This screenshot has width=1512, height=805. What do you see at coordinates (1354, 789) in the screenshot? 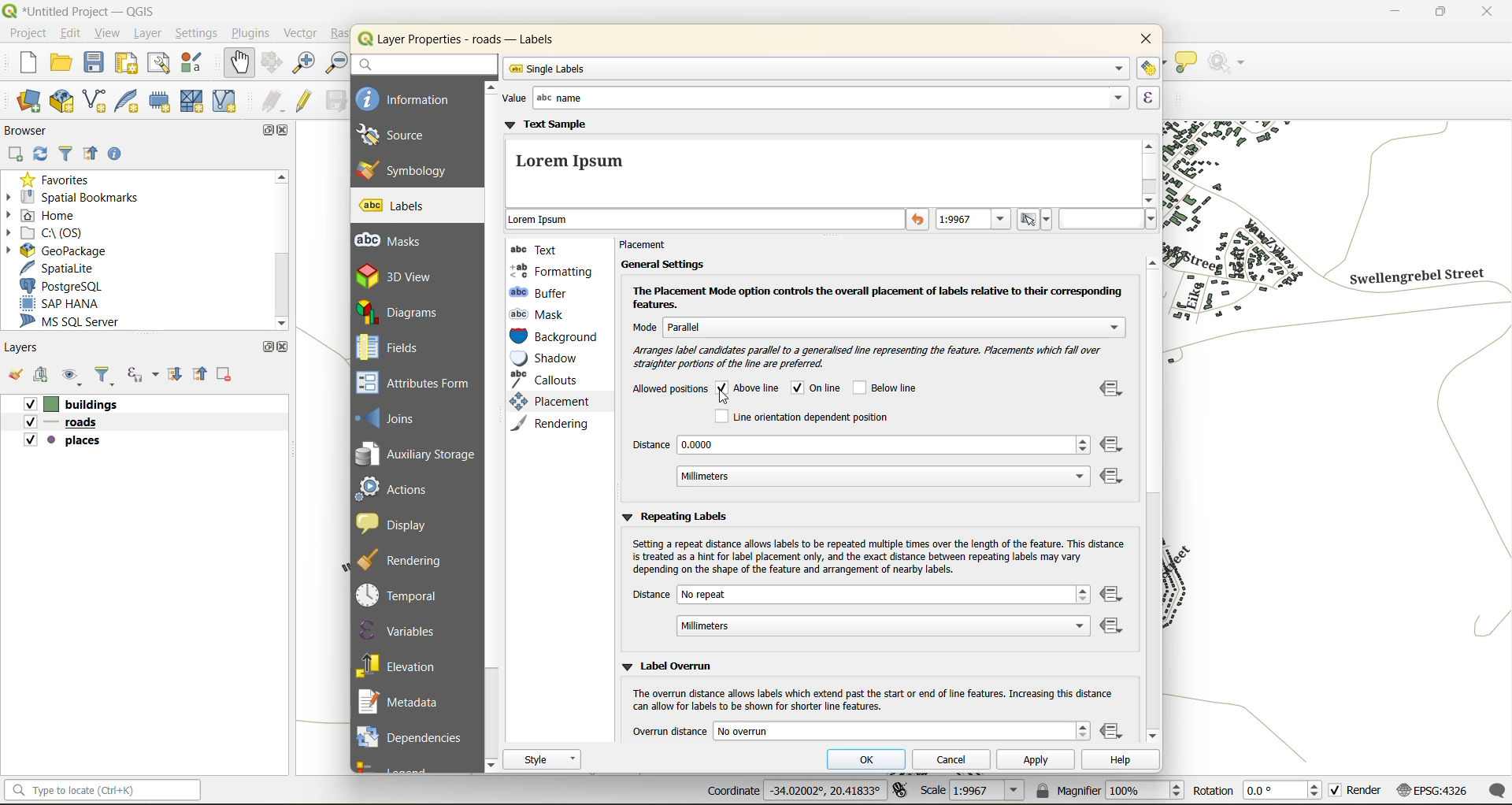
I see `render` at bounding box center [1354, 789].